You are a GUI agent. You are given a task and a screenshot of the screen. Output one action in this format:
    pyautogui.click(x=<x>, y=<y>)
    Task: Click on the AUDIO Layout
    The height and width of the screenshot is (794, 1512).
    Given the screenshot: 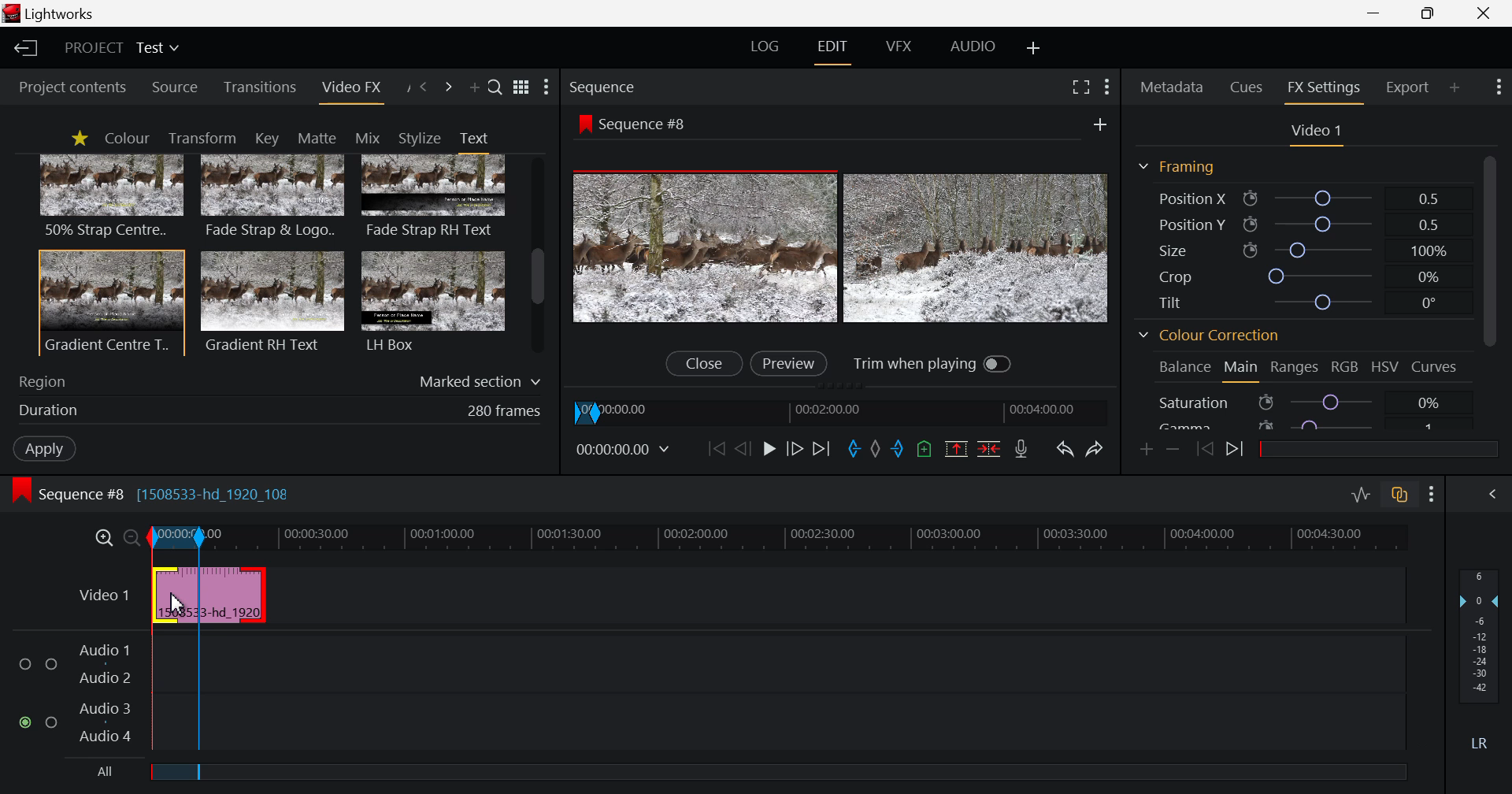 What is the action you would take?
    pyautogui.click(x=978, y=45)
    